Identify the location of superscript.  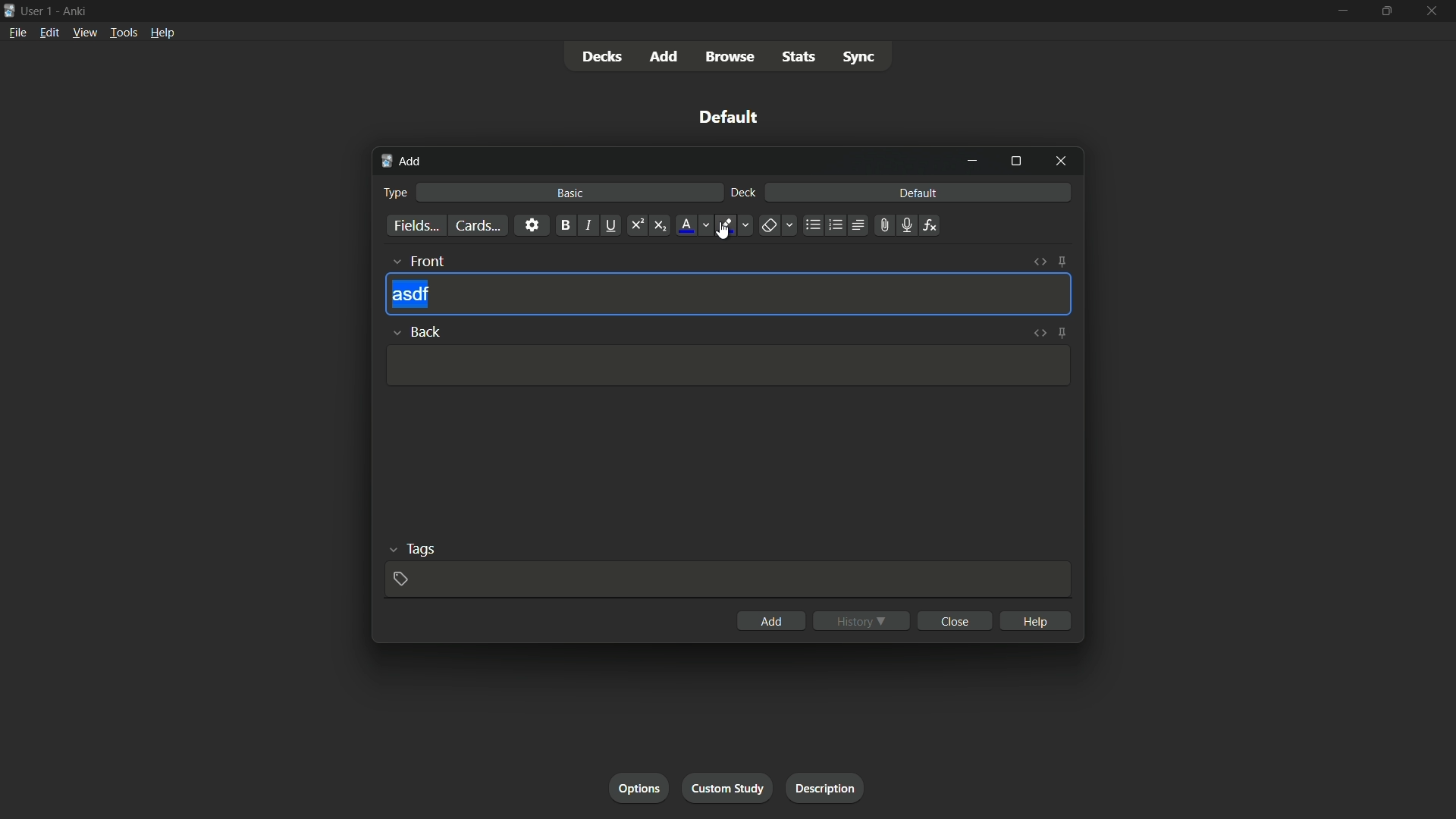
(636, 225).